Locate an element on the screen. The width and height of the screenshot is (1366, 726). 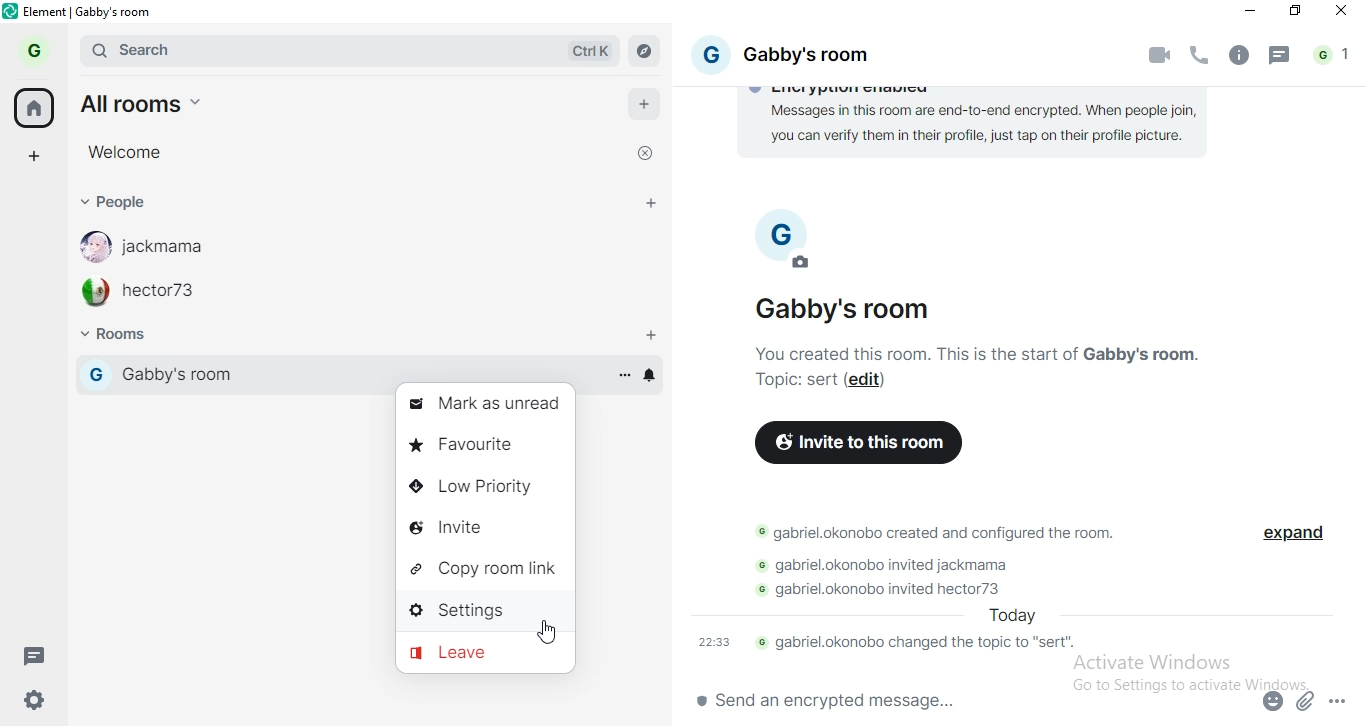
chatbox is located at coordinates (959, 703).